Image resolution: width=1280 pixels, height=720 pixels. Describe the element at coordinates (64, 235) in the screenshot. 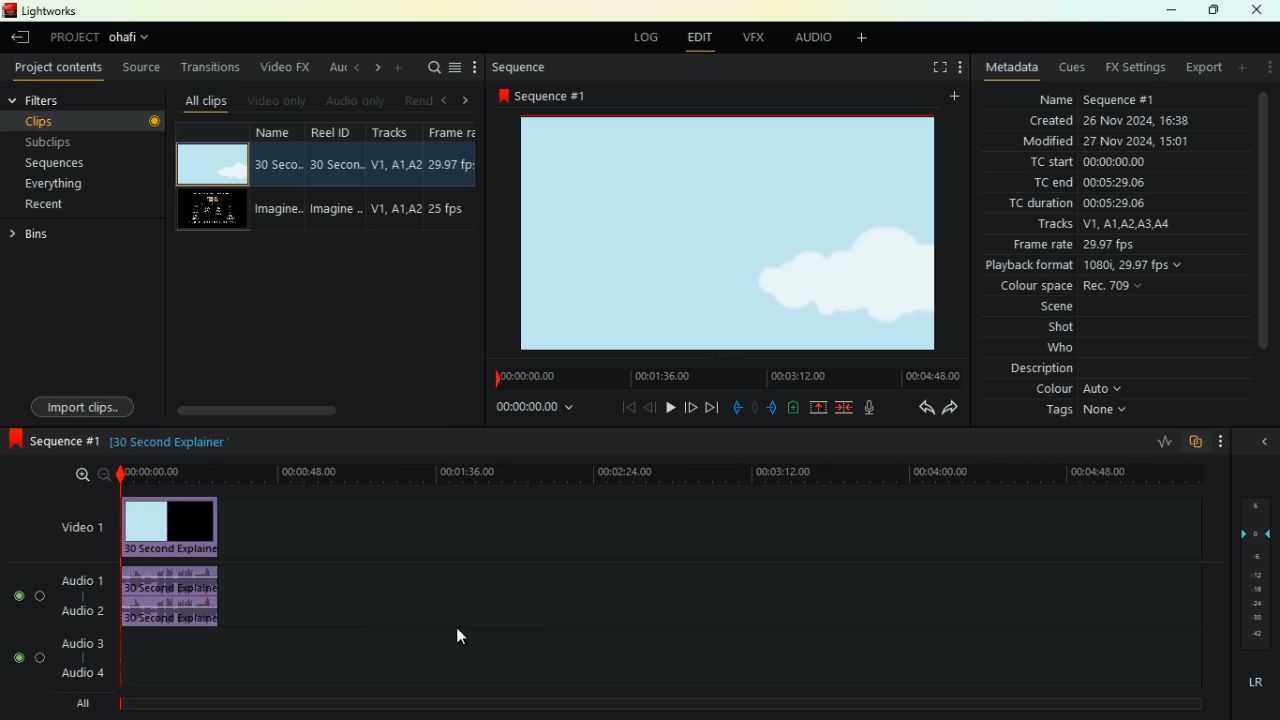

I see `bins` at that location.